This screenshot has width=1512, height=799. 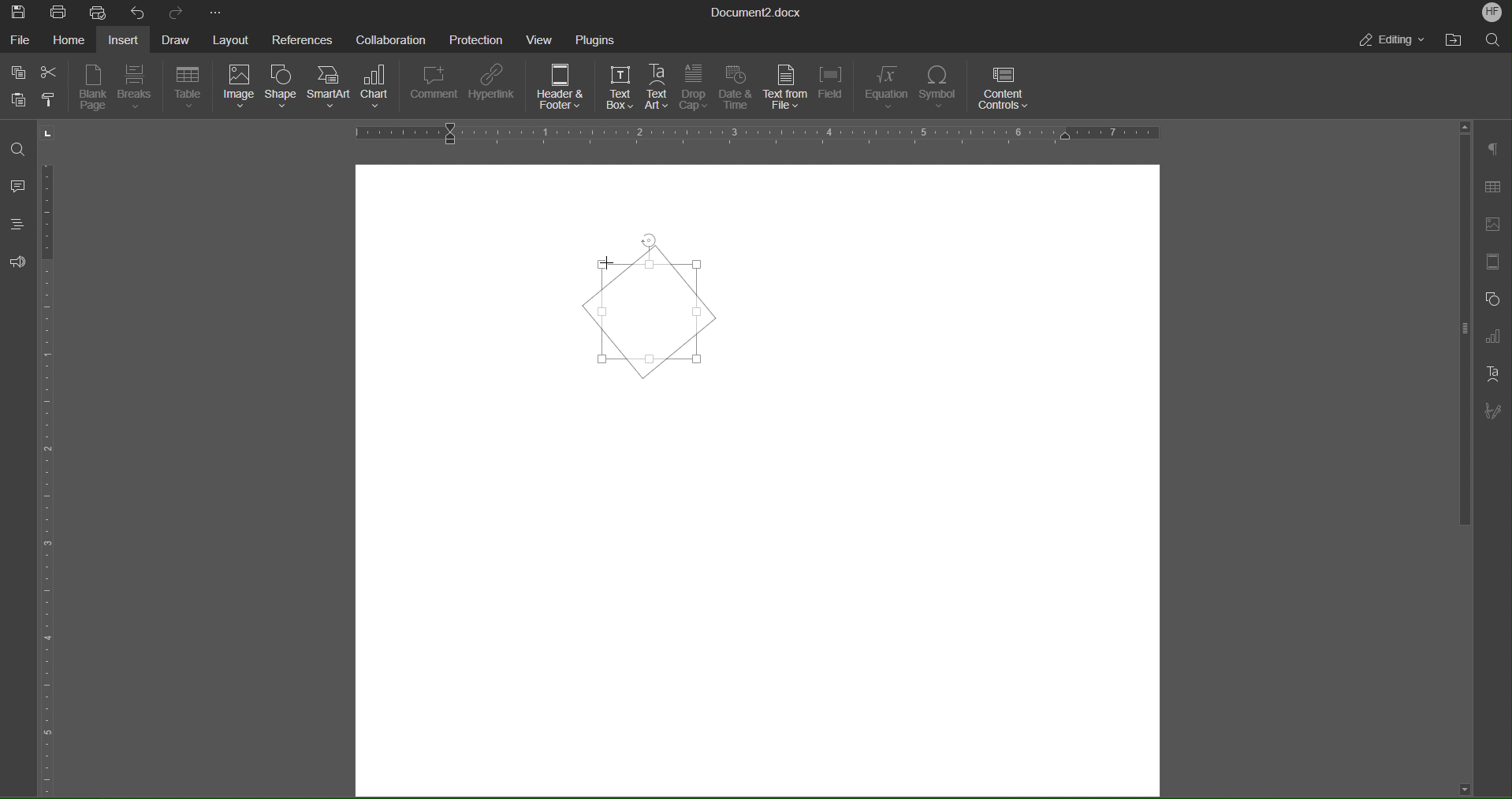 What do you see at coordinates (17, 262) in the screenshot?
I see `Feedback and Support` at bounding box center [17, 262].